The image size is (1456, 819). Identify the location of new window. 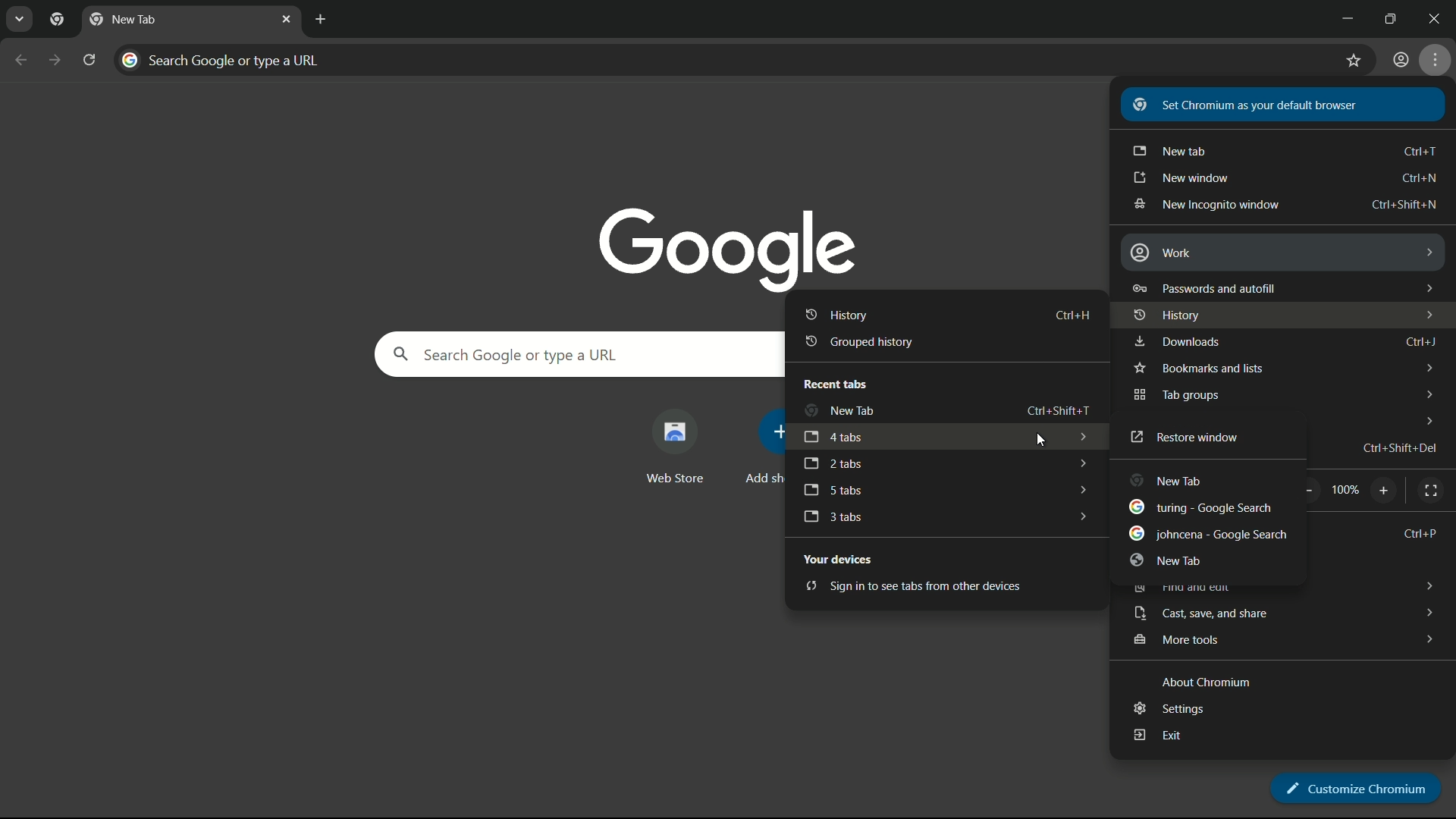
(1181, 178).